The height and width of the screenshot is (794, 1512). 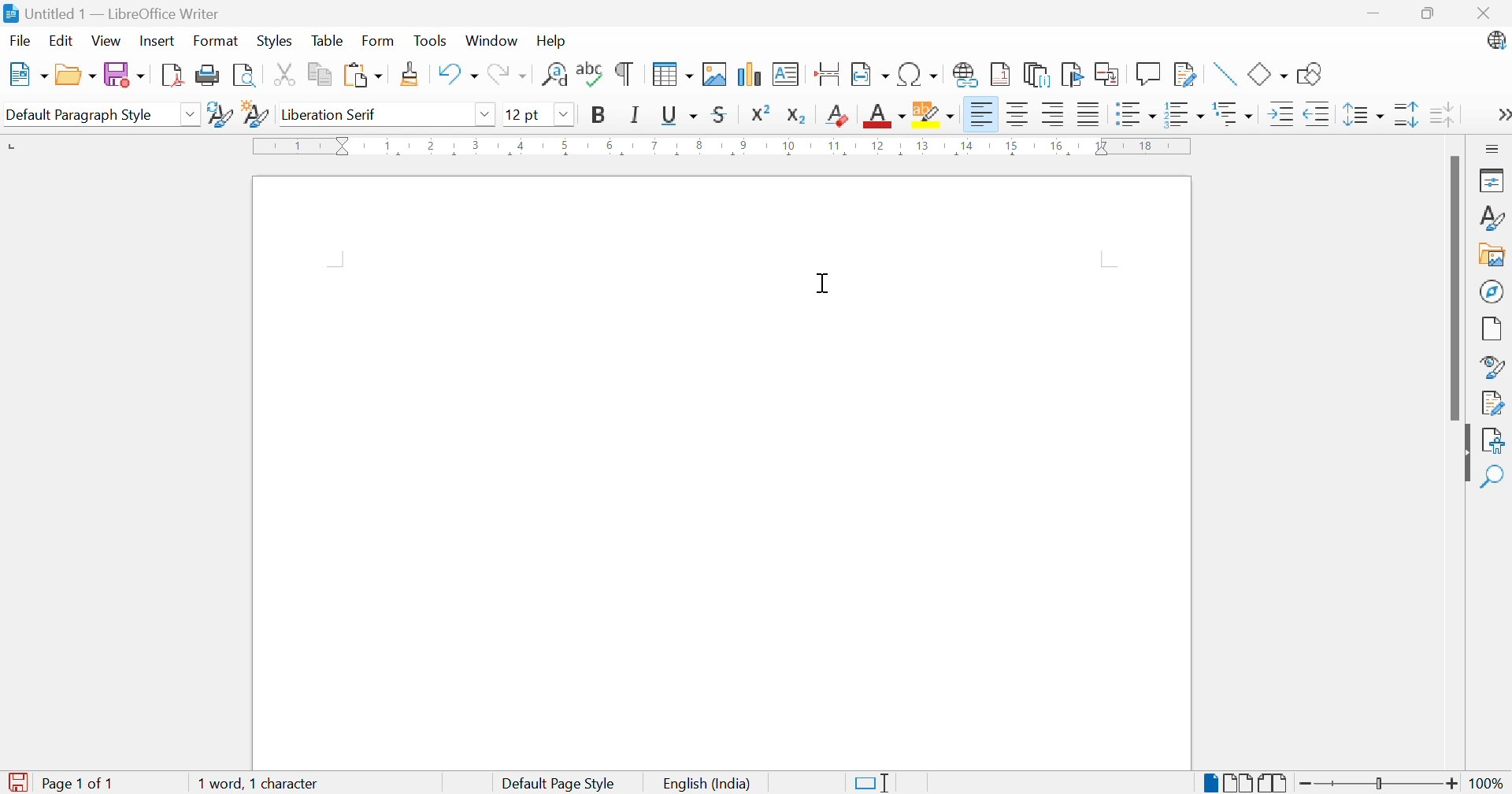 What do you see at coordinates (1267, 72) in the screenshot?
I see `Basic Shapes` at bounding box center [1267, 72].